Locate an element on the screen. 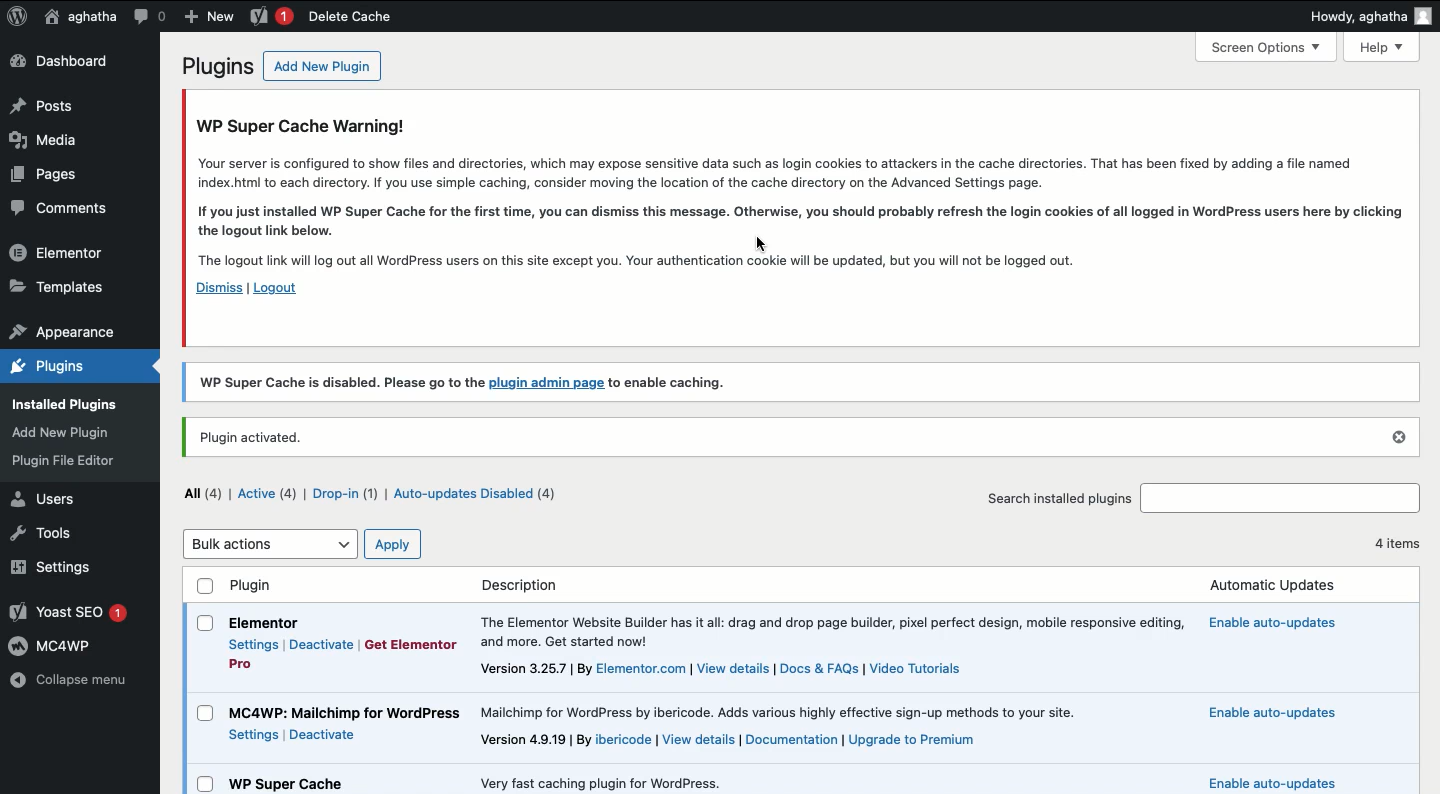 The image size is (1440, 794). Add new plugin is located at coordinates (323, 66).